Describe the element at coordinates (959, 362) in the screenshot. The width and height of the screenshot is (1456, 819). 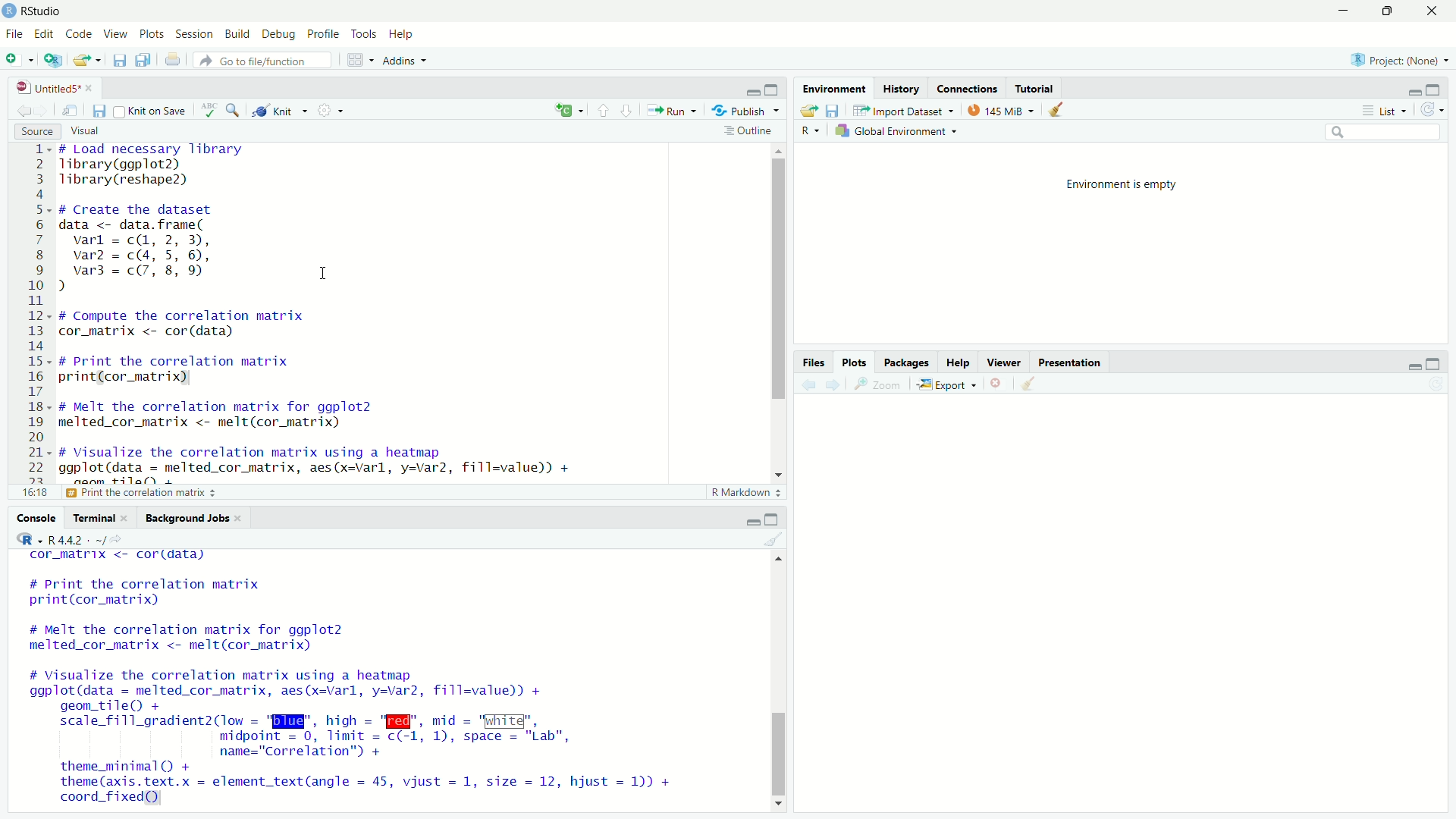
I see `help` at that location.